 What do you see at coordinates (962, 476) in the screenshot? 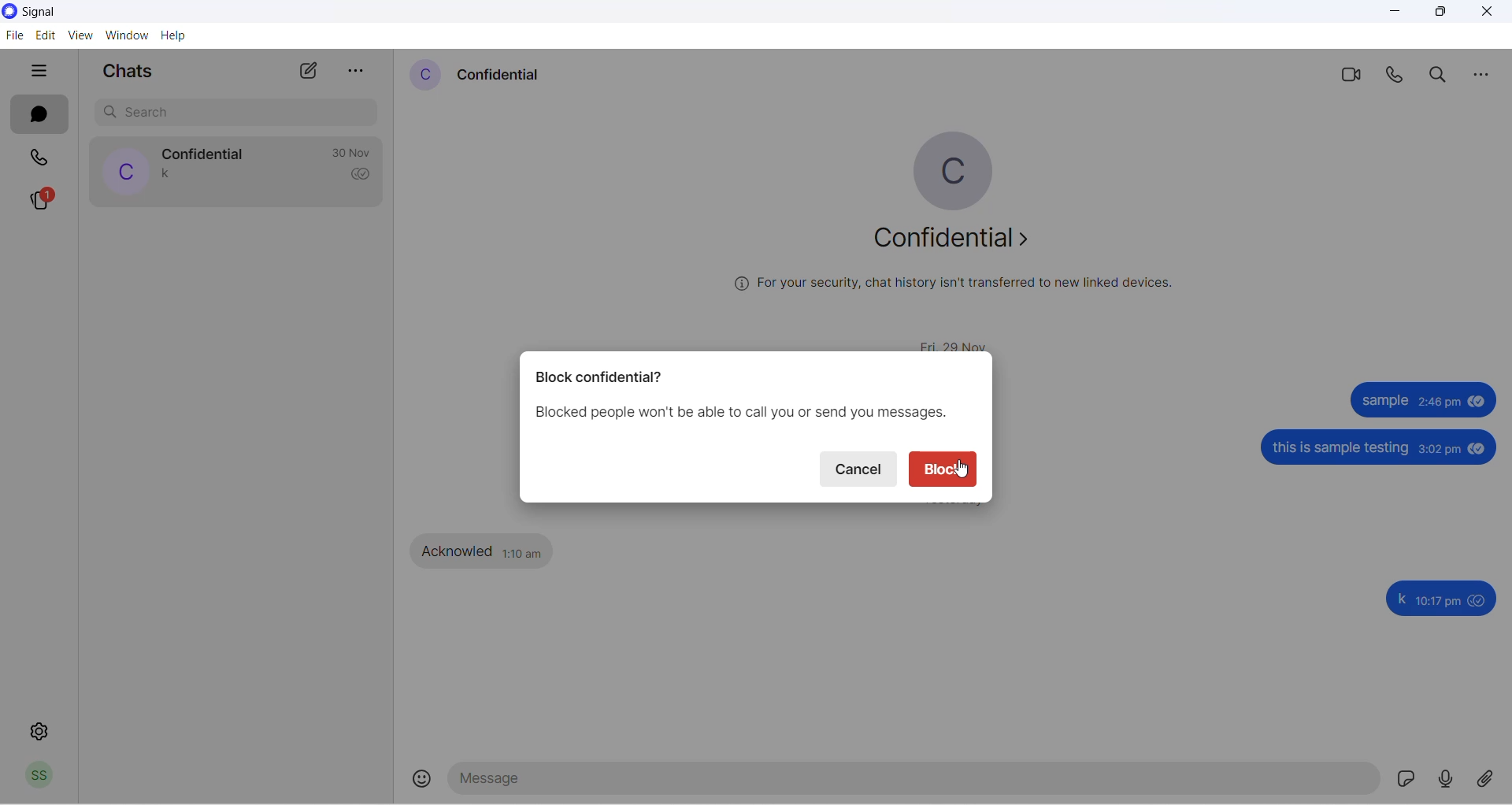
I see `cursor` at bounding box center [962, 476].